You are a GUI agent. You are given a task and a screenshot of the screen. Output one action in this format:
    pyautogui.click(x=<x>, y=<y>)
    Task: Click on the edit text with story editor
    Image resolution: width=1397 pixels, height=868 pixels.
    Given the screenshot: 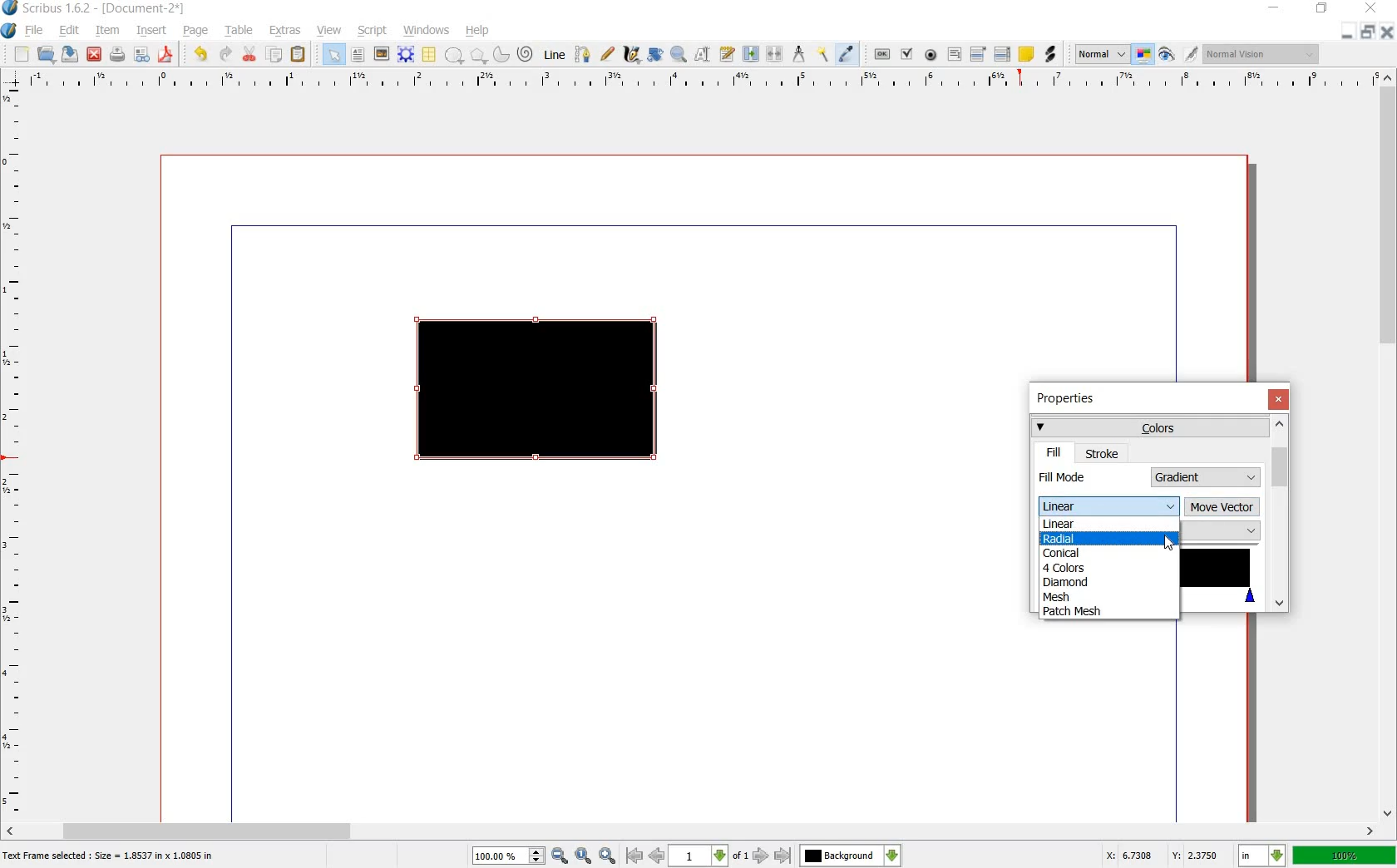 What is the action you would take?
    pyautogui.click(x=726, y=54)
    